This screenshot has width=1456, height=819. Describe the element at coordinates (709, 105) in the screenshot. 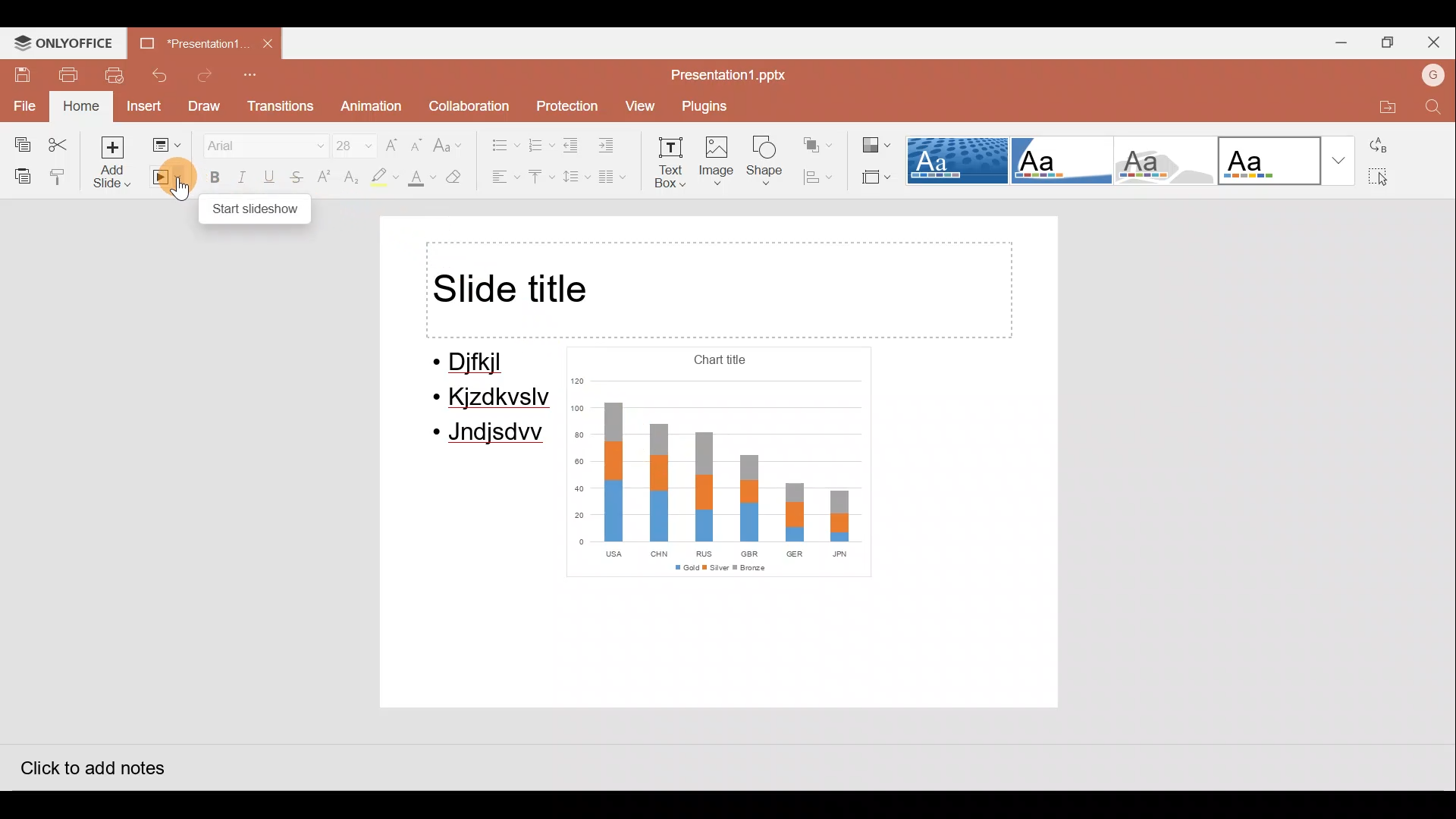

I see `Plugins` at that location.